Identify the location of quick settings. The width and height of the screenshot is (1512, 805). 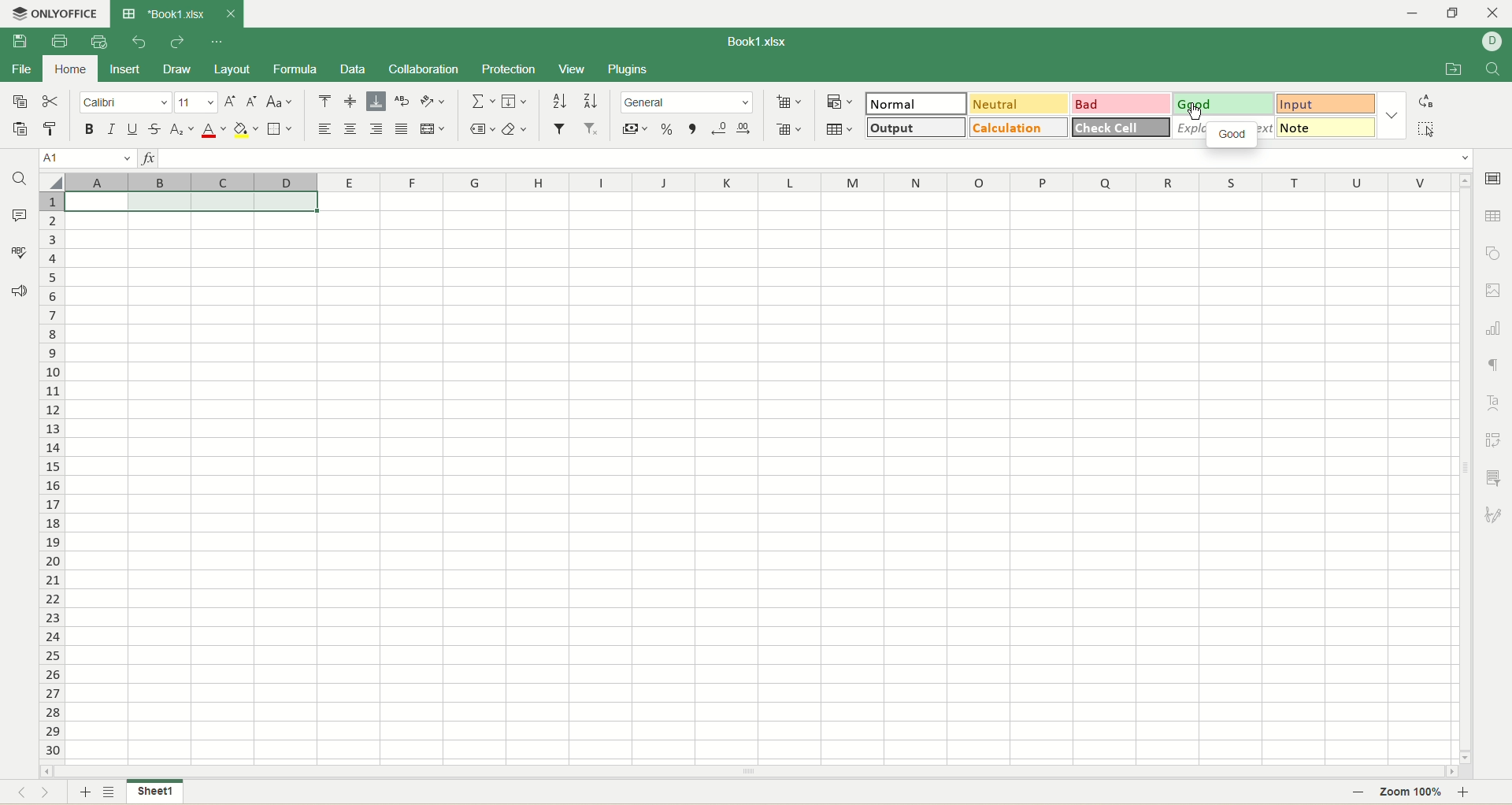
(217, 44).